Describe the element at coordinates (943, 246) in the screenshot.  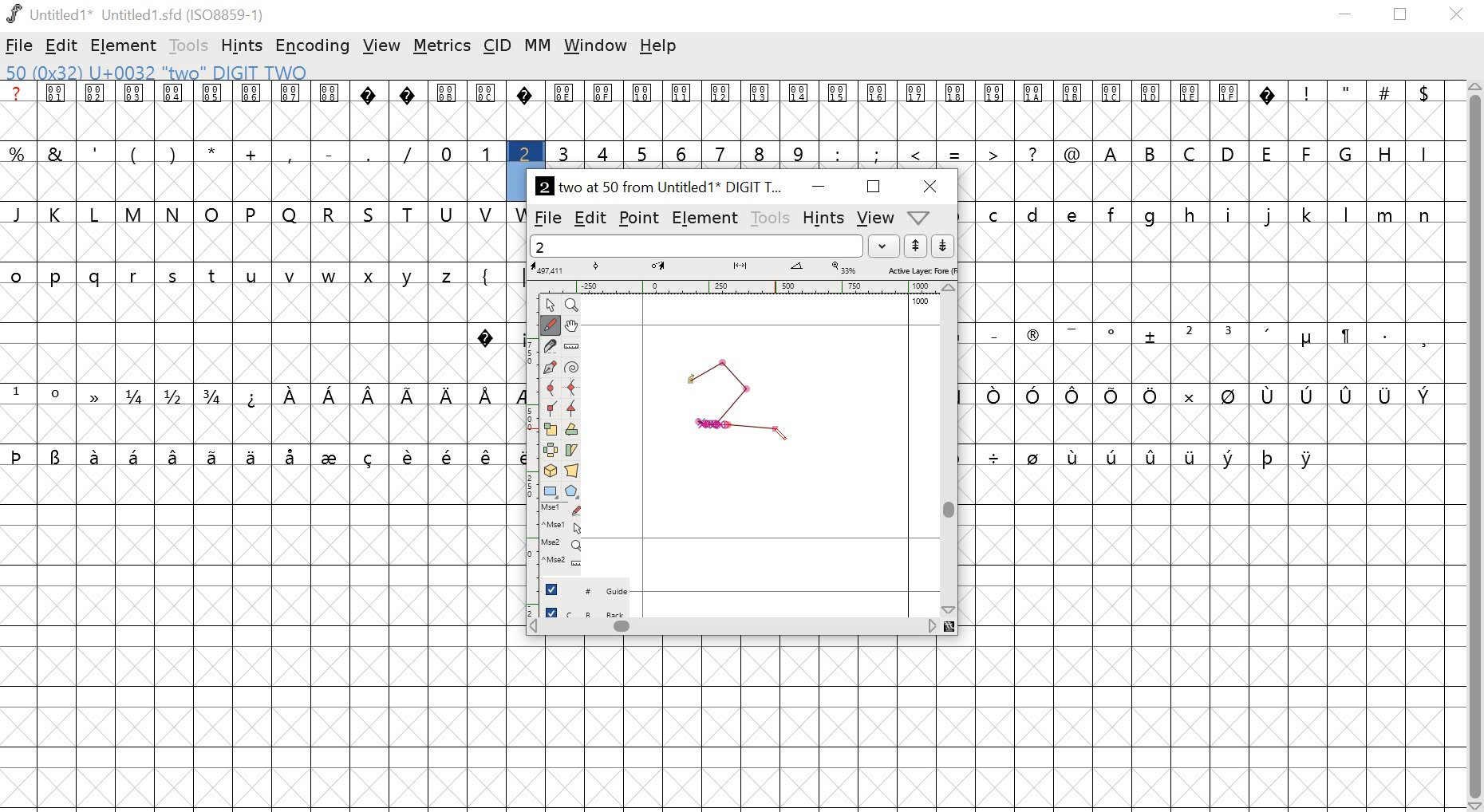
I see `down` at that location.